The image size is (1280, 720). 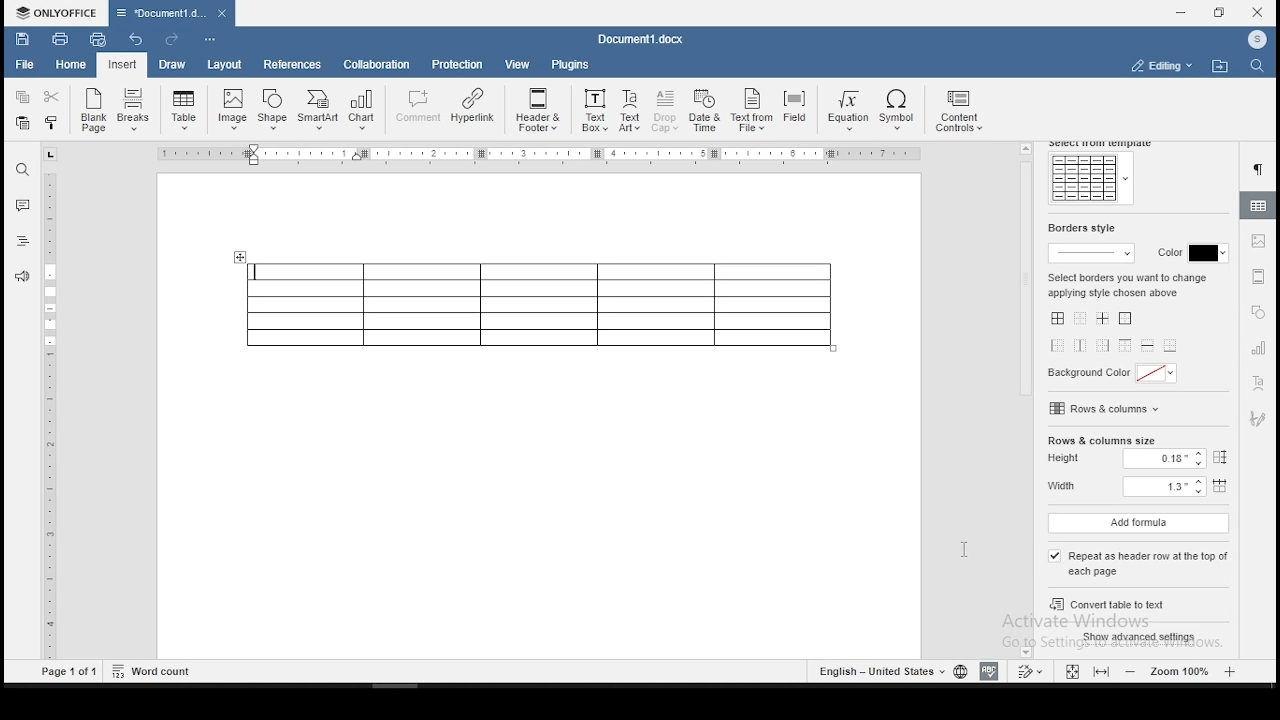 I want to click on Hyperlink, so click(x=473, y=106).